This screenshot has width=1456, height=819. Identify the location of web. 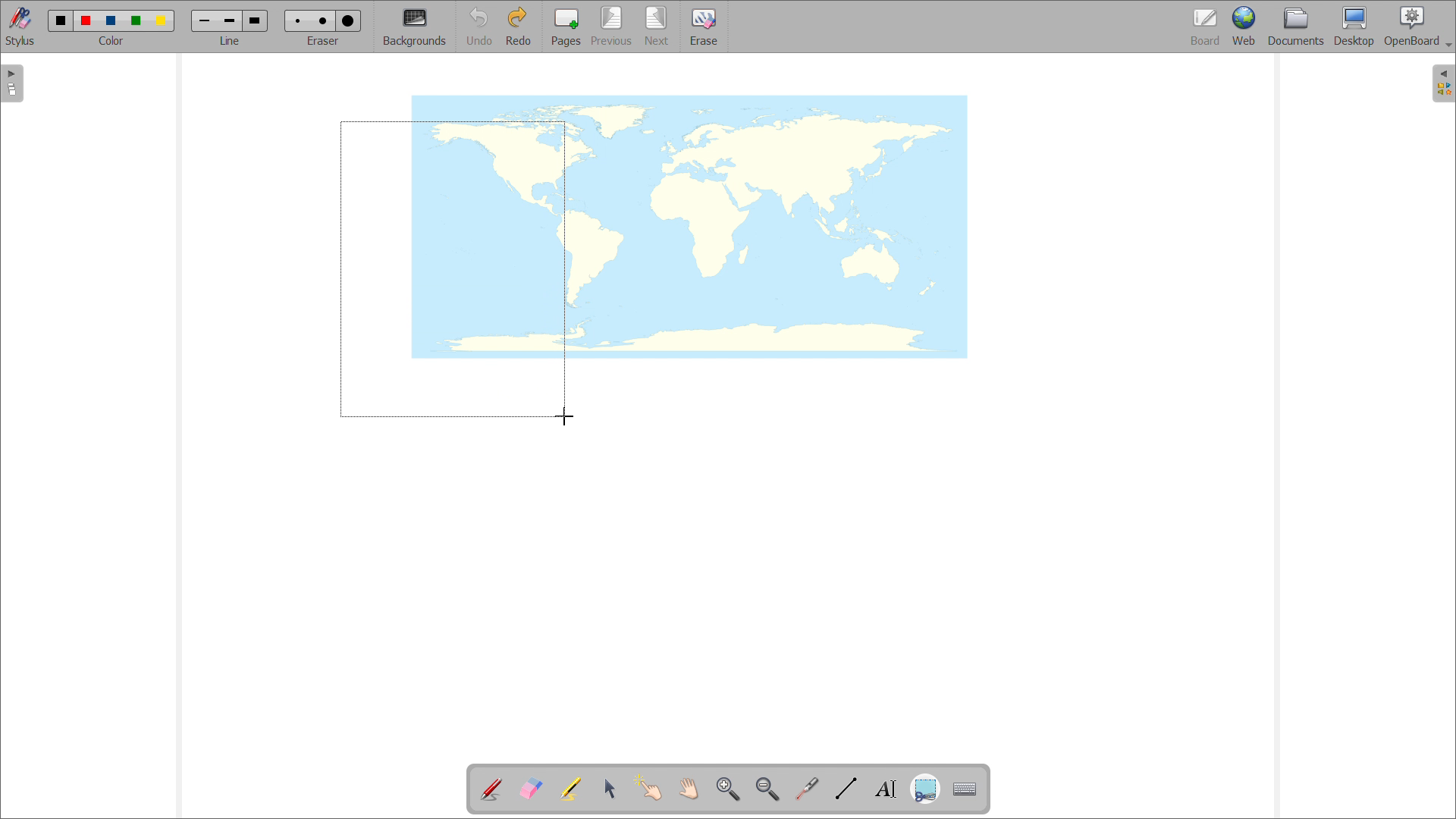
(1245, 27).